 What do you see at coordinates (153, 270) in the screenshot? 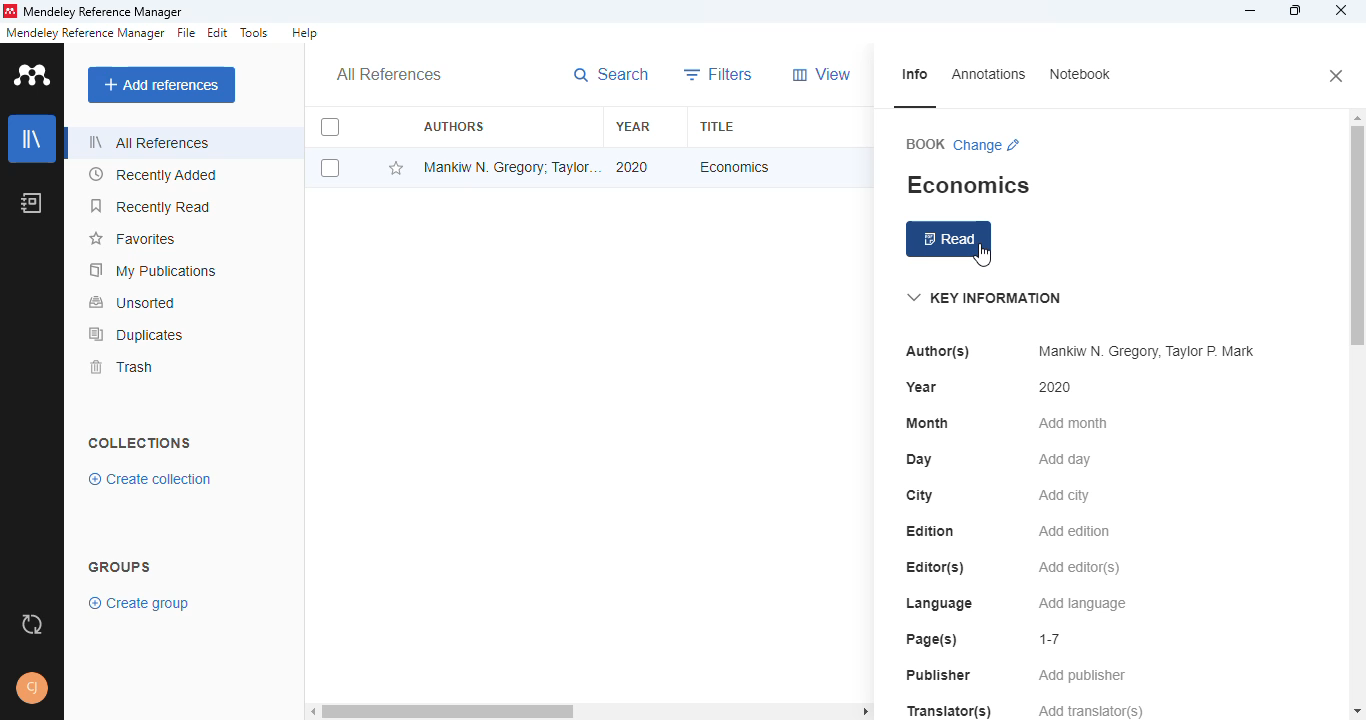
I see `my publications` at bounding box center [153, 270].